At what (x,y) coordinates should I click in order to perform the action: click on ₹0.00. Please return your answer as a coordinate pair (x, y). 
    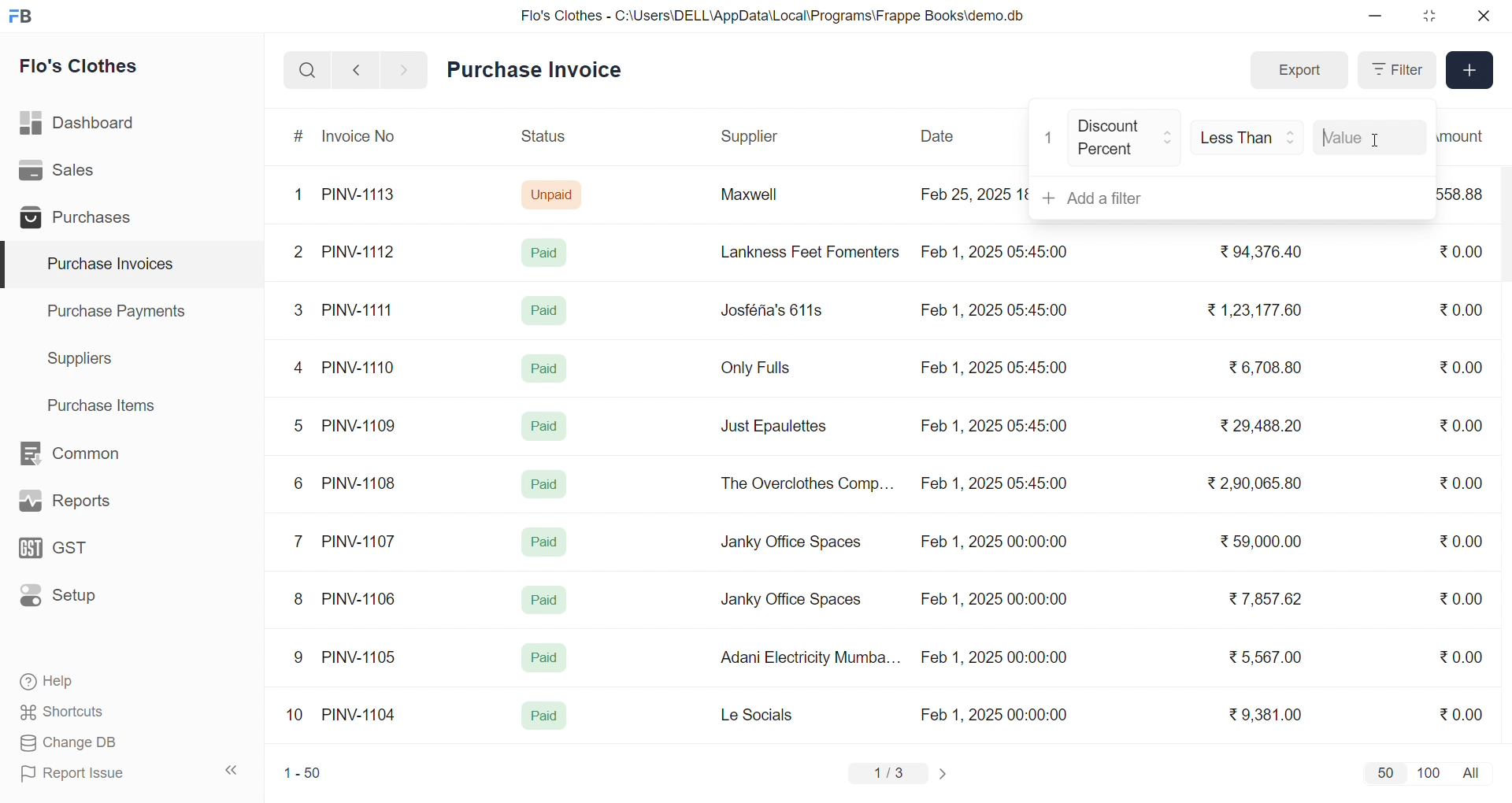
    Looking at the image, I should click on (1461, 367).